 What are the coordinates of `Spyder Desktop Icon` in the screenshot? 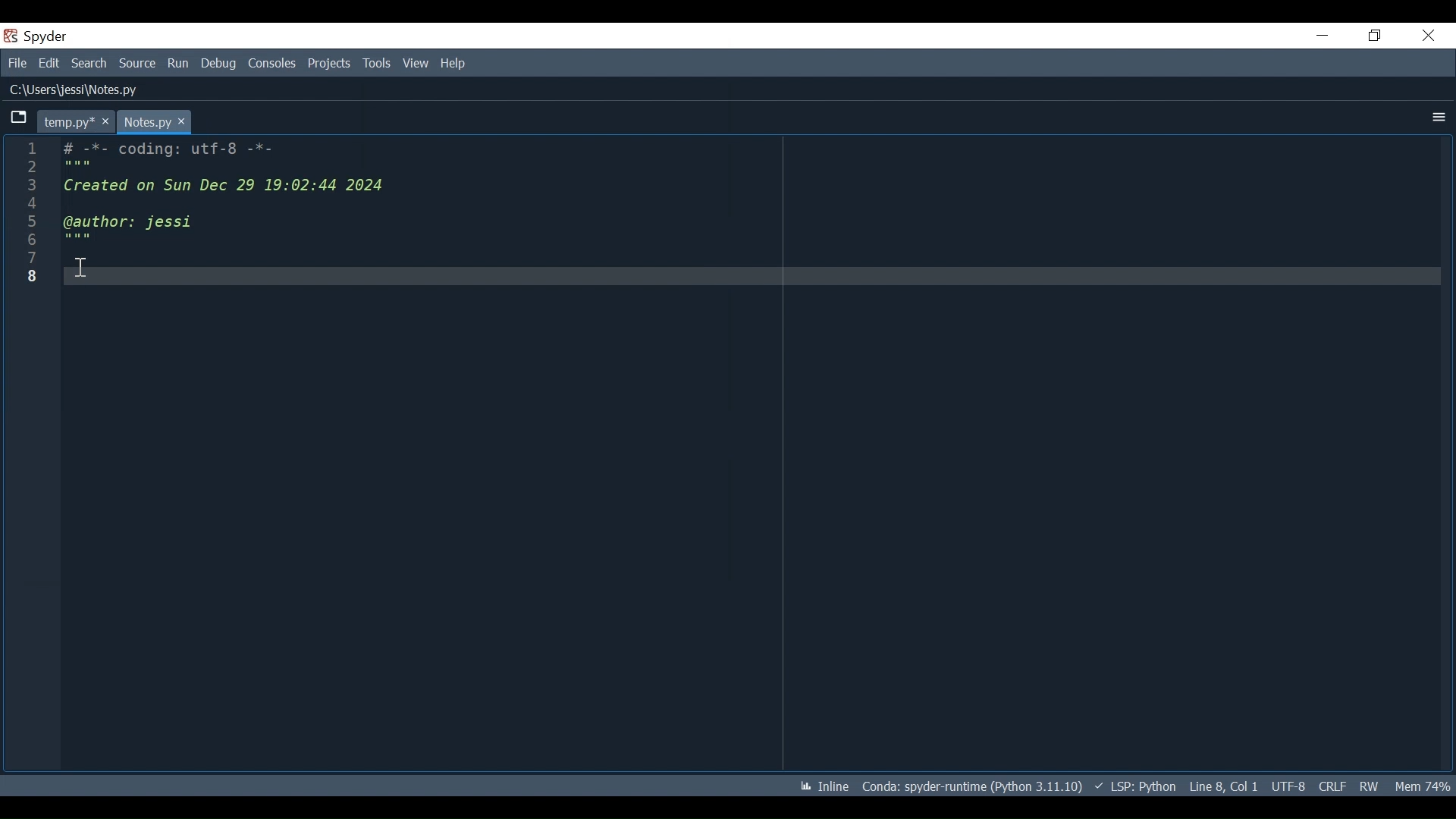 It's located at (9, 36).